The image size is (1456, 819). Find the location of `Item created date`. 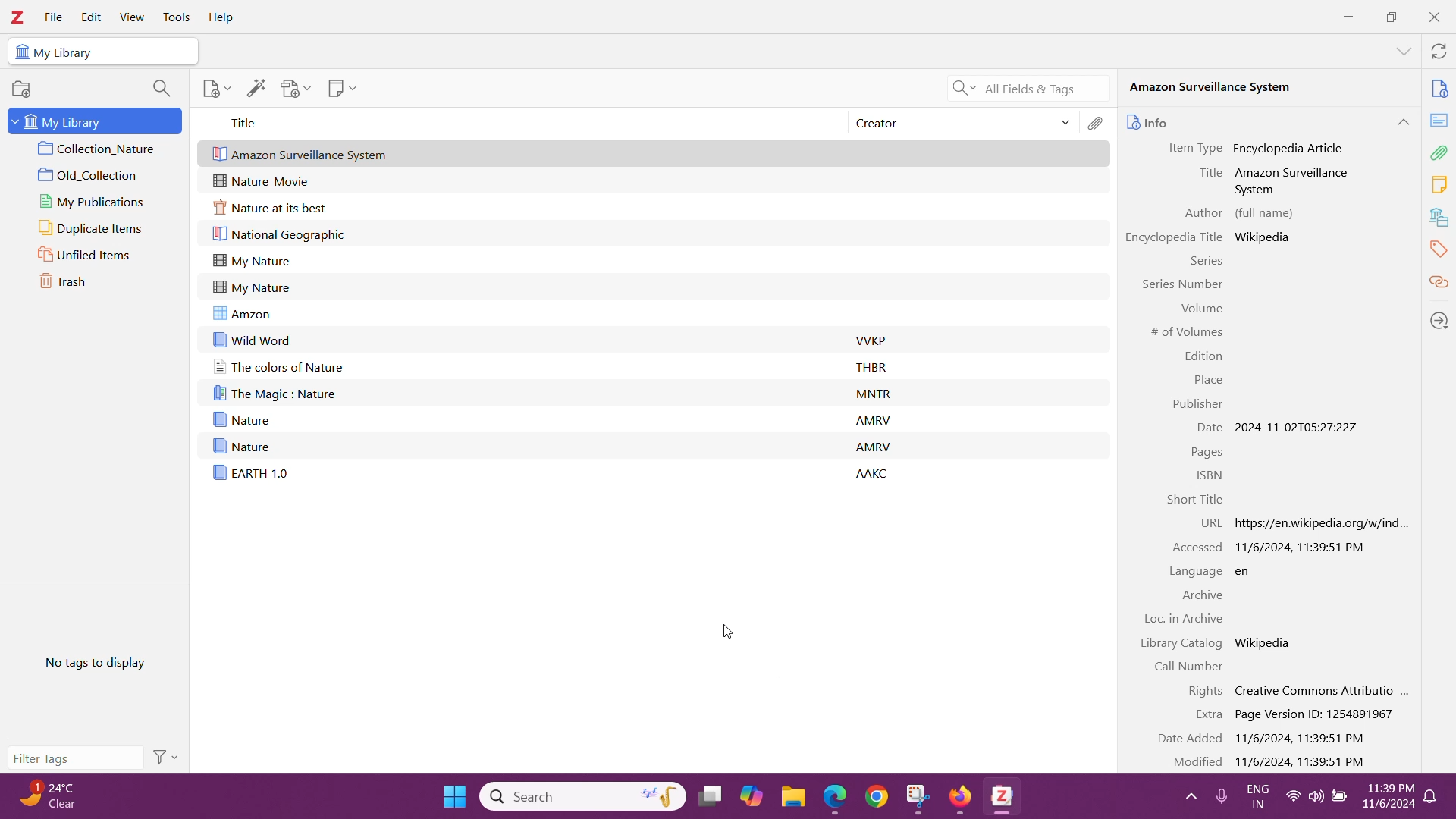

Item created date is located at coordinates (1294, 425).